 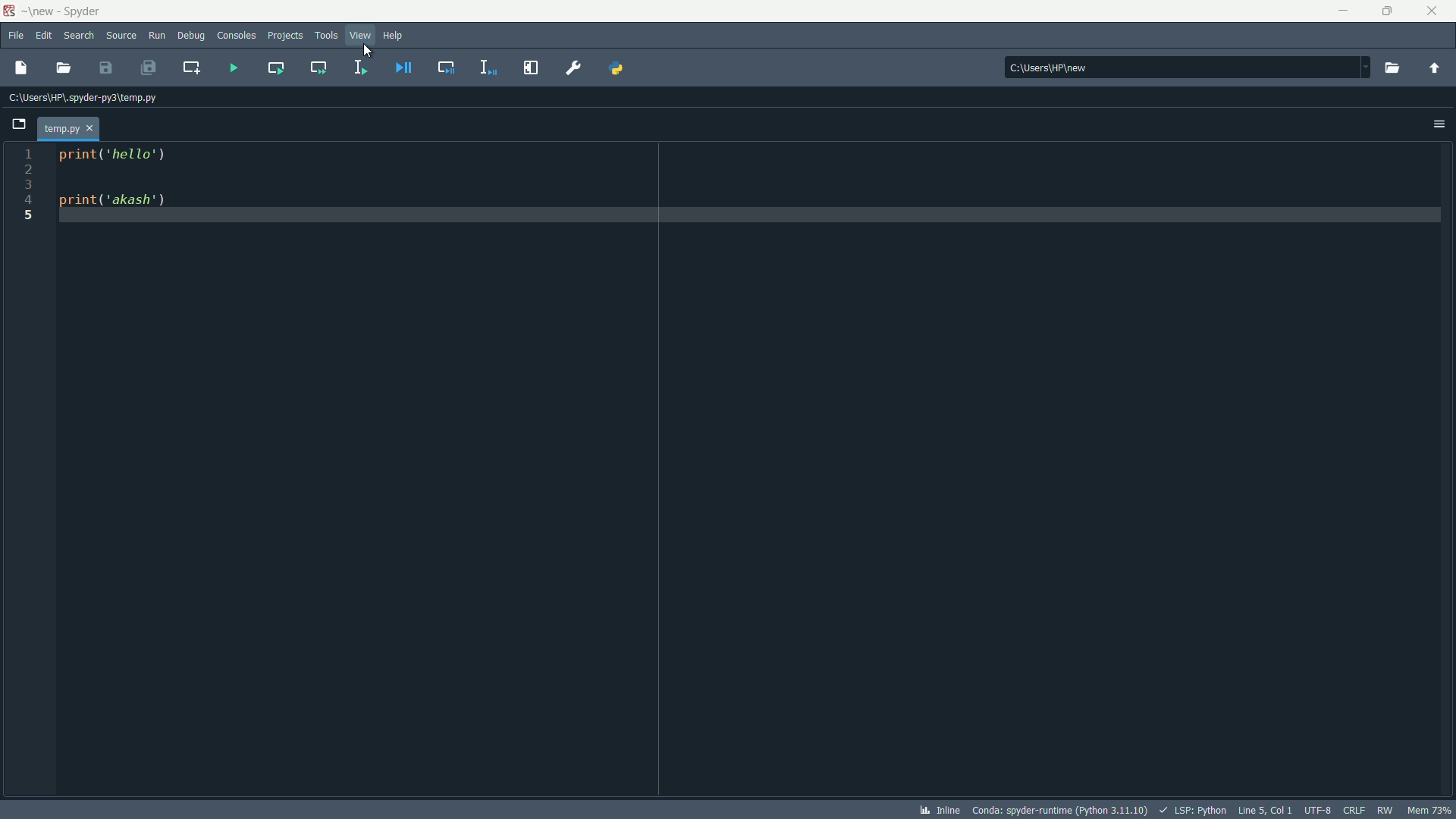 What do you see at coordinates (194, 64) in the screenshot?
I see `create new cell at the current line` at bounding box center [194, 64].